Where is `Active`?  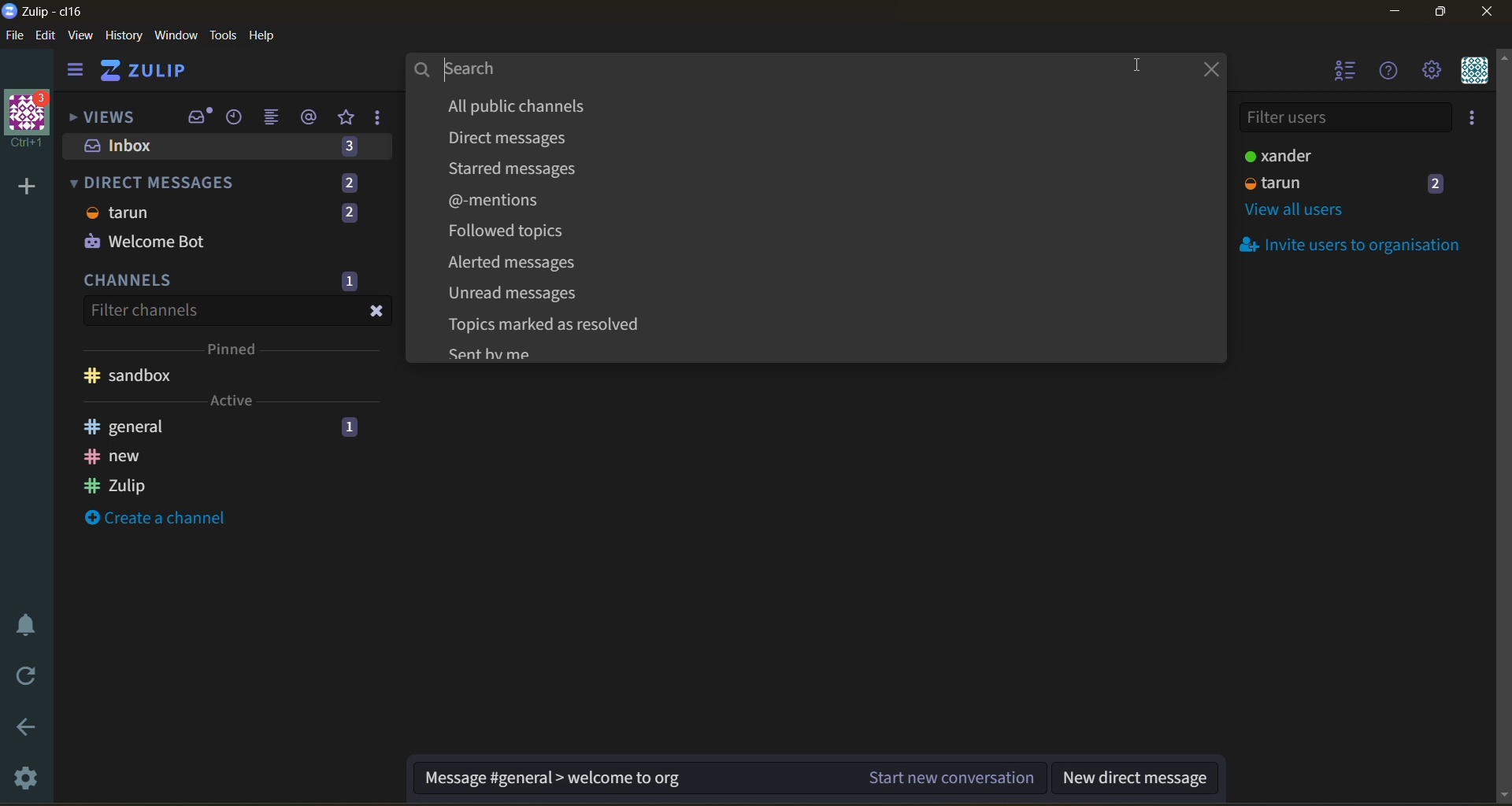
Active is located at coordinates (232, 400).